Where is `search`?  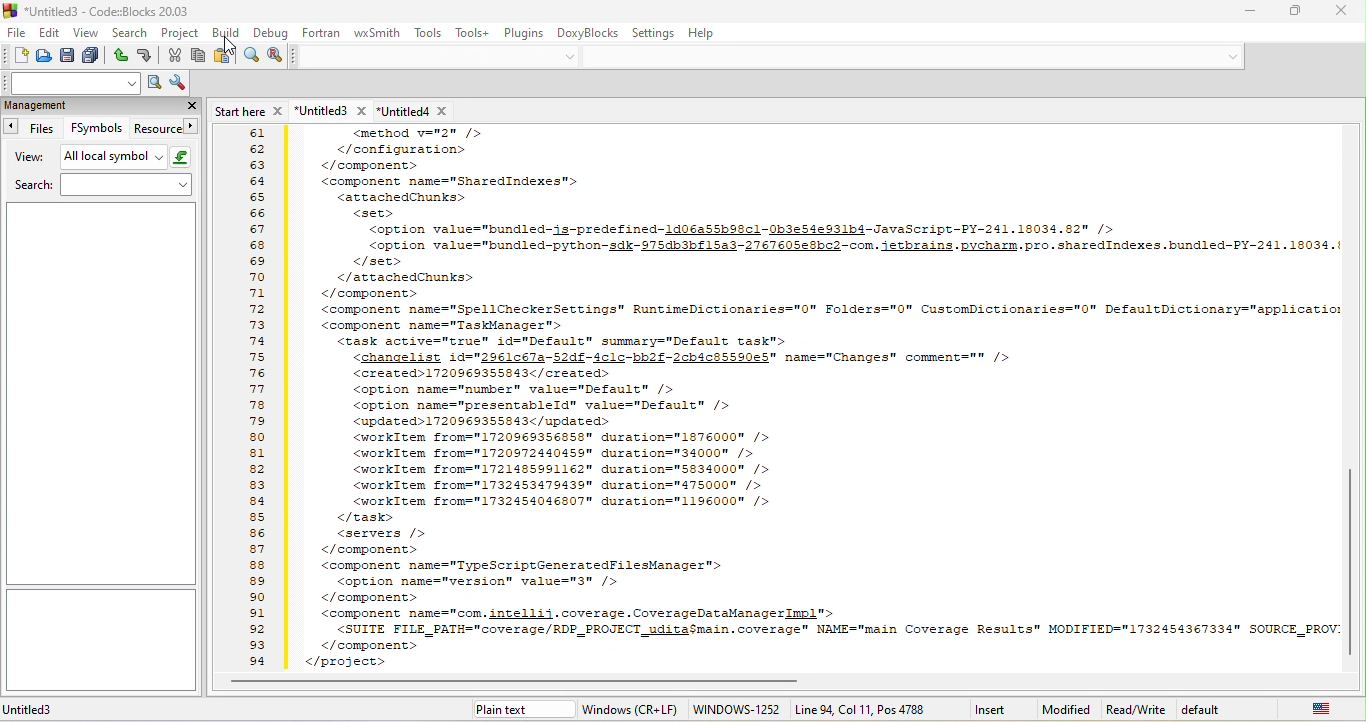 search is located at coordinates (131, 34).